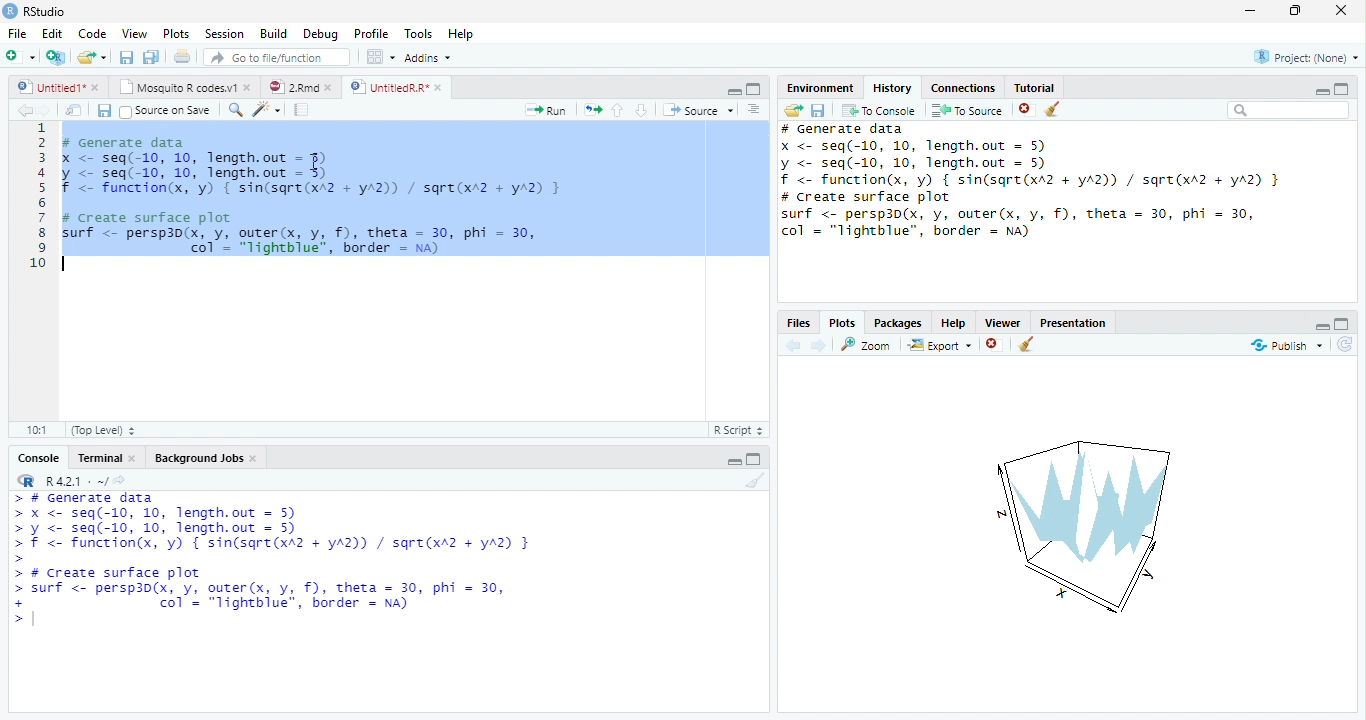 This screenshot has height=720, width=1366. I want to click on close, so click(1341, 10).